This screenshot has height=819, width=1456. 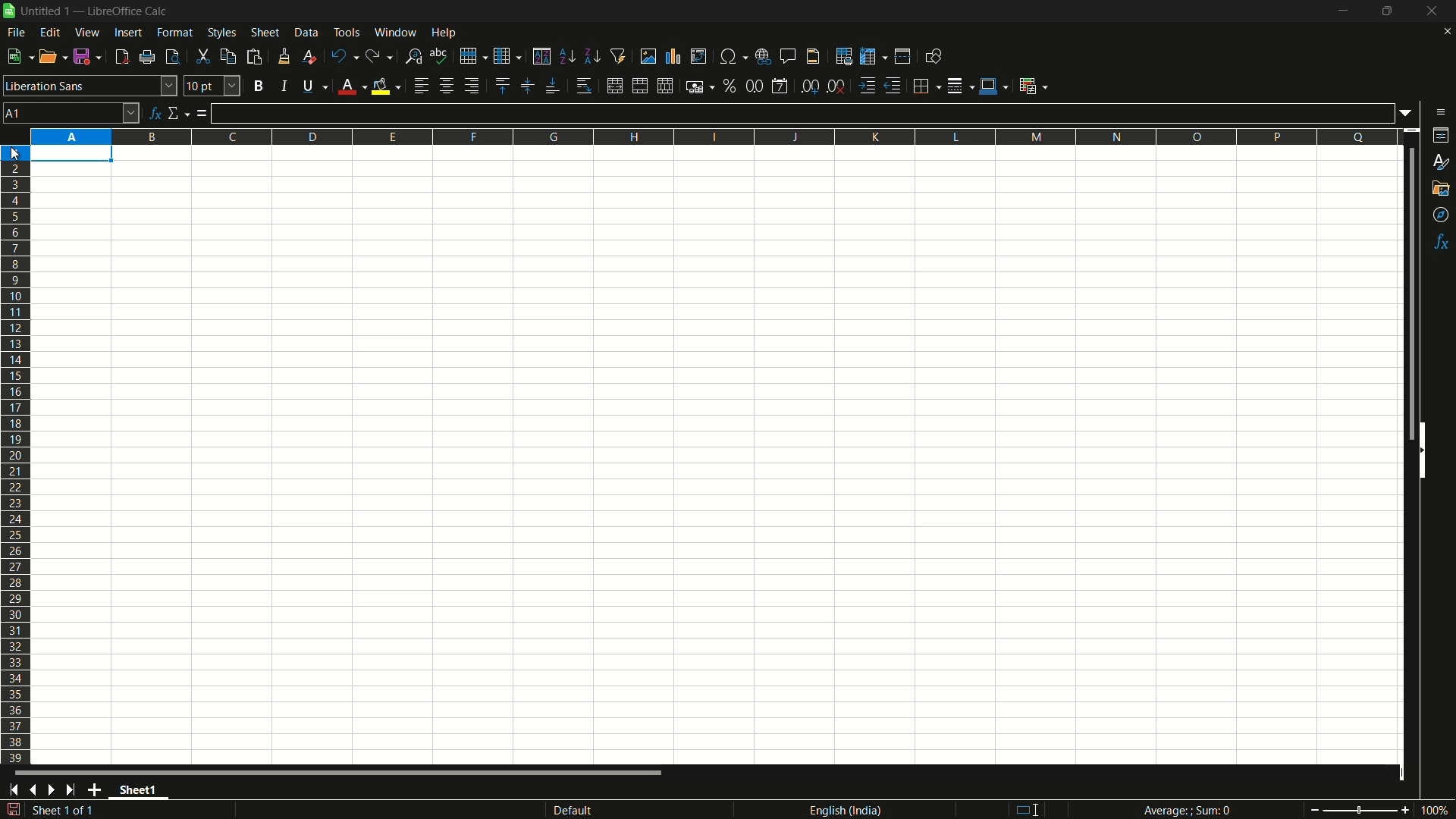 I want to click on sheet 1 of 1, so click(x=68, y=812).